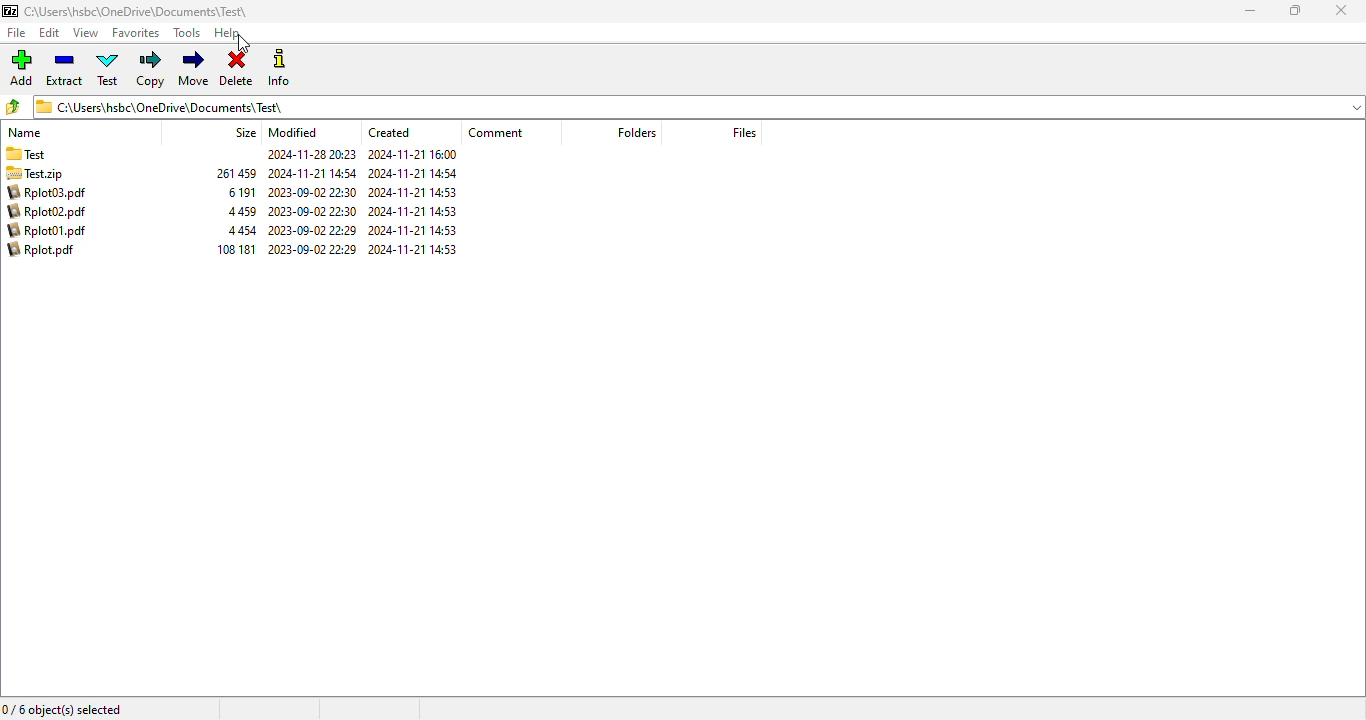  What do you see at coordinates (63, 708) in the screenshot?
I see `0/6 object(s) selected` at bounding box center [63, 708].